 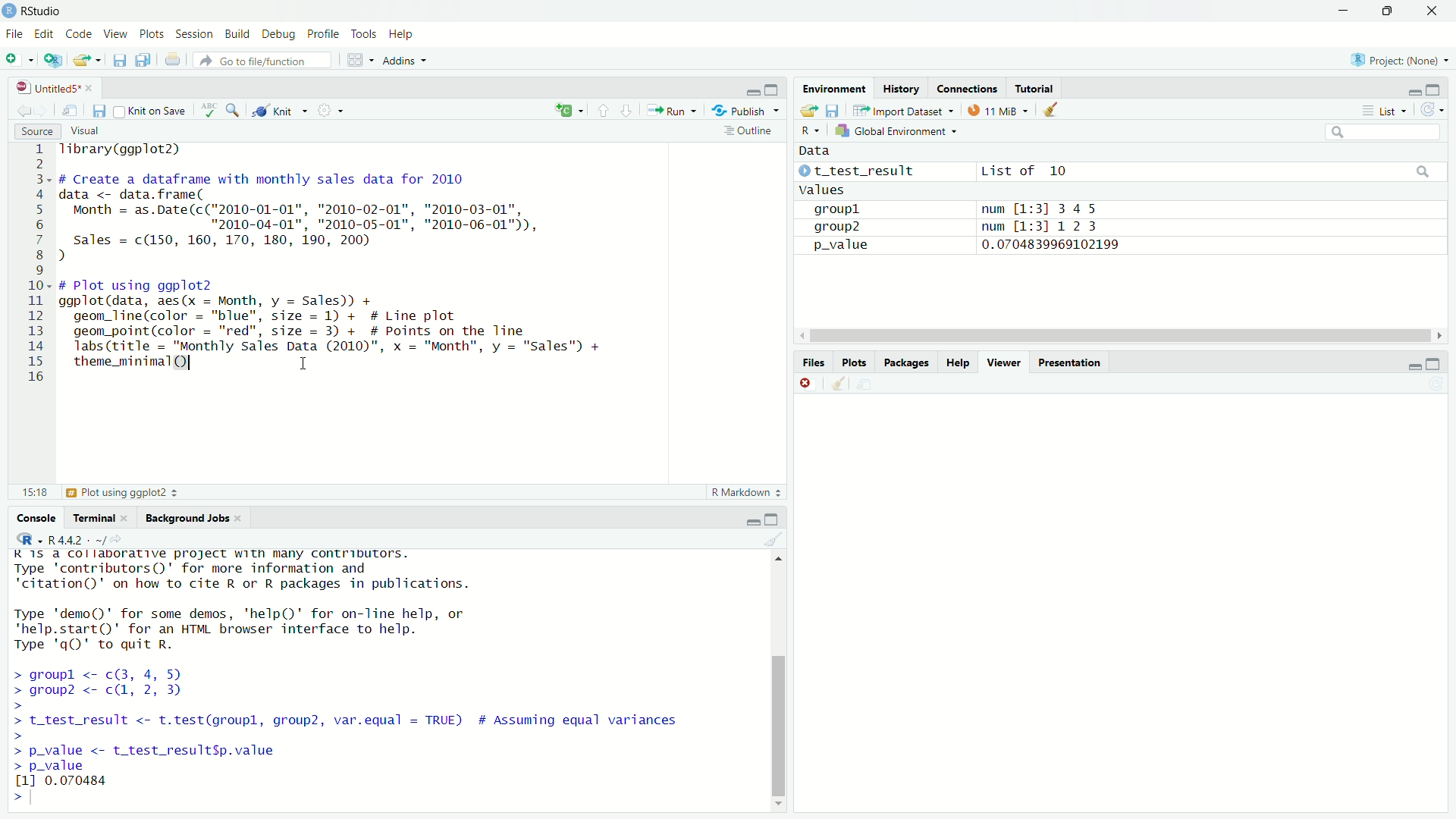 I want to click on R, so click(x=805, y=129).